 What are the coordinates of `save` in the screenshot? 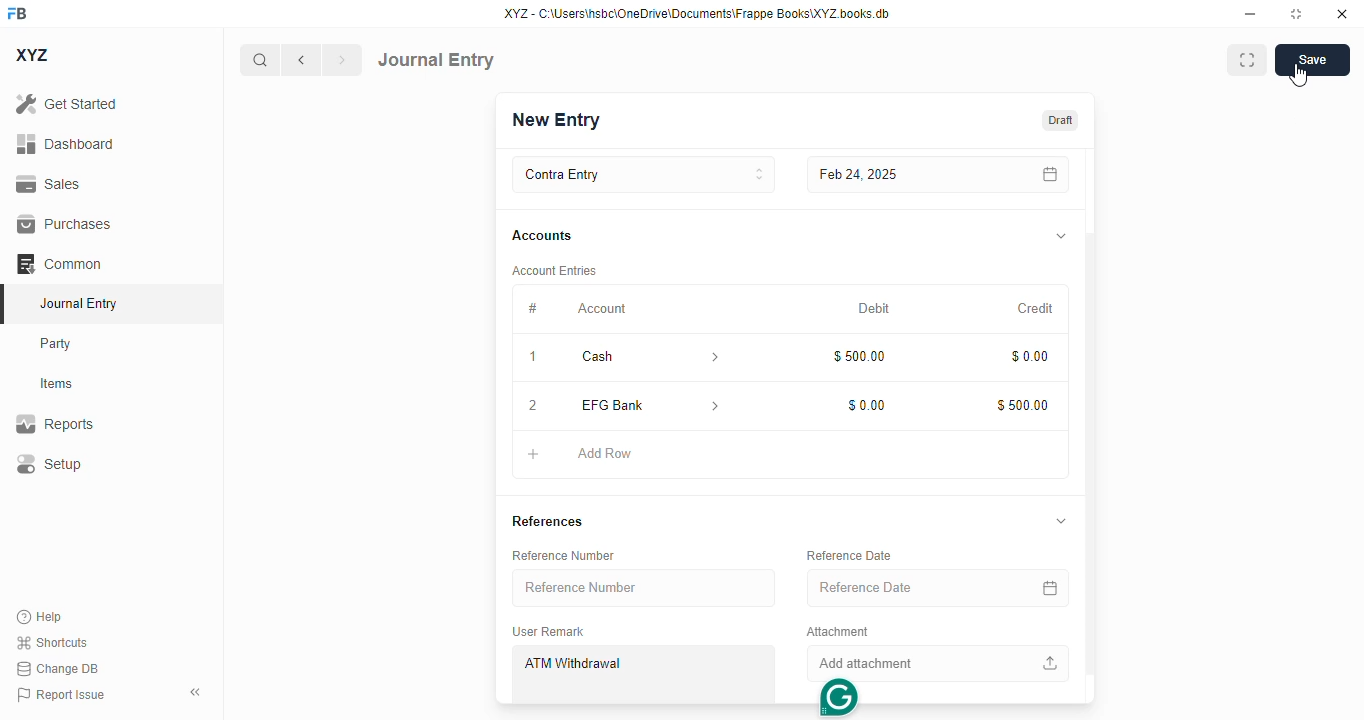 It's located at (1312, 60).